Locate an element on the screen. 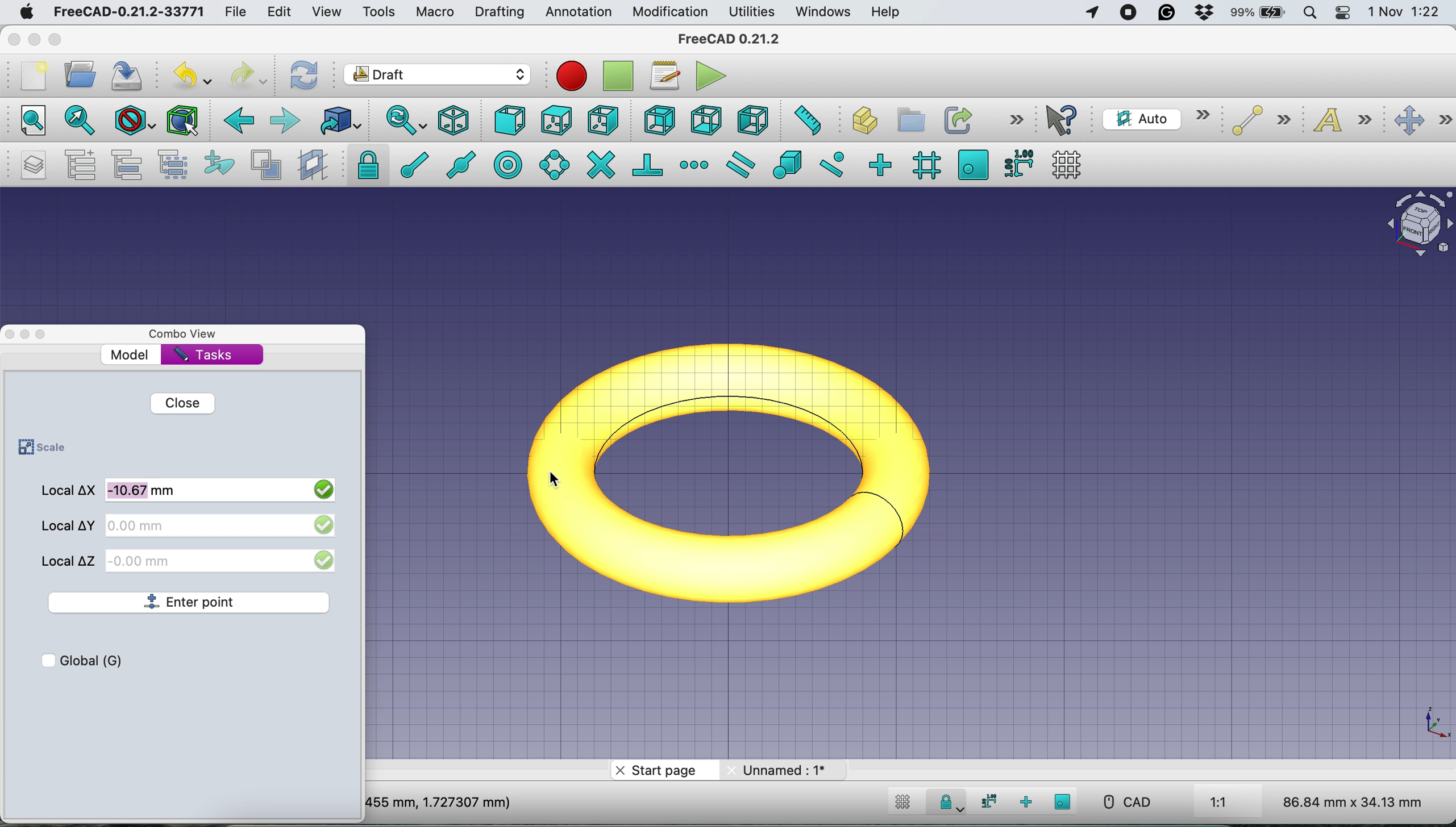 The width and height of the screenshot is (1456, 827). tools is located at coordinates (375, 11).